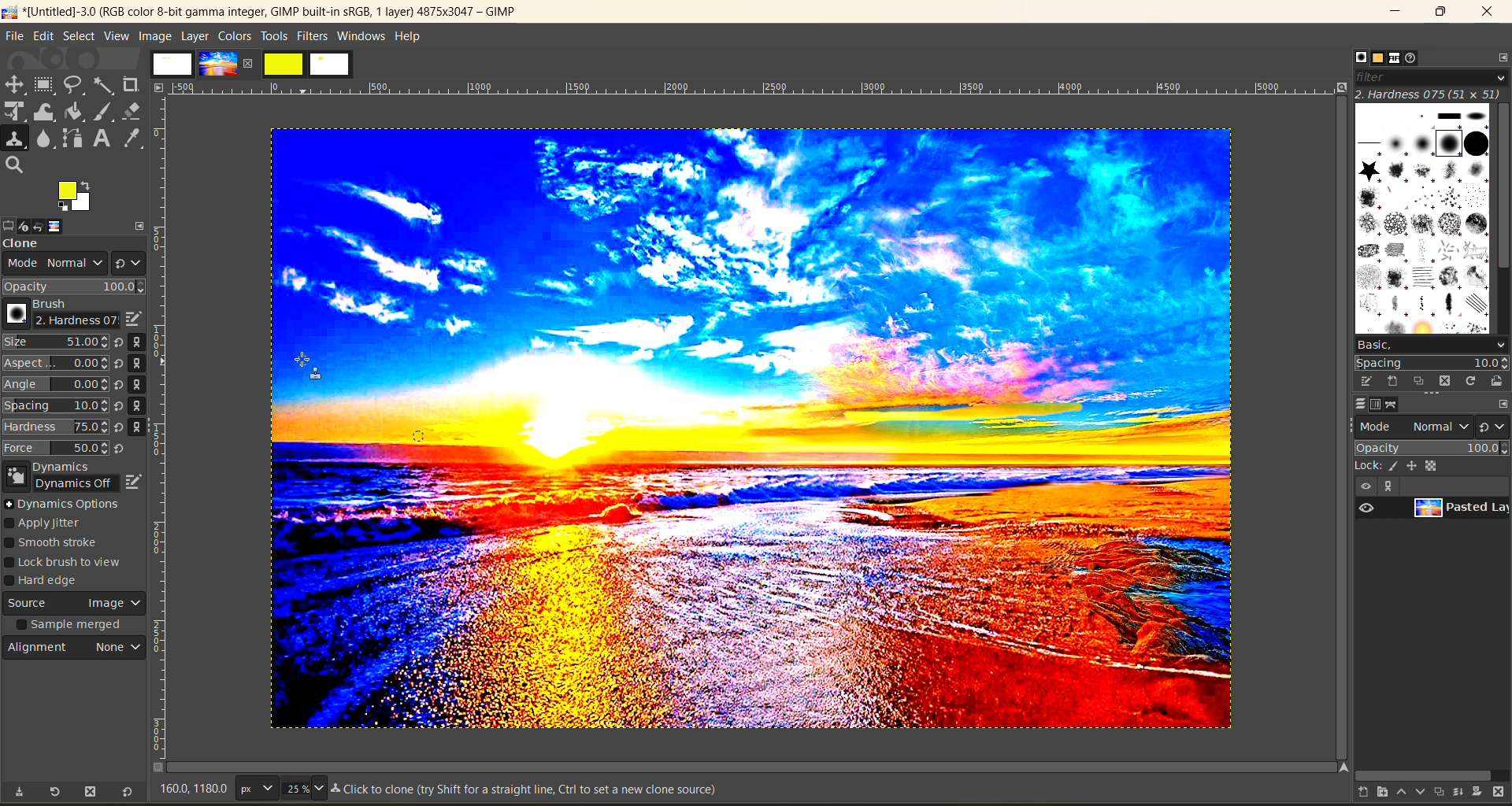 This screenshot has width=1512, height=806. What do you see at coordinates (49, 582) in the screenshot?
I see `hard edge` at bounding box center [49, 582].